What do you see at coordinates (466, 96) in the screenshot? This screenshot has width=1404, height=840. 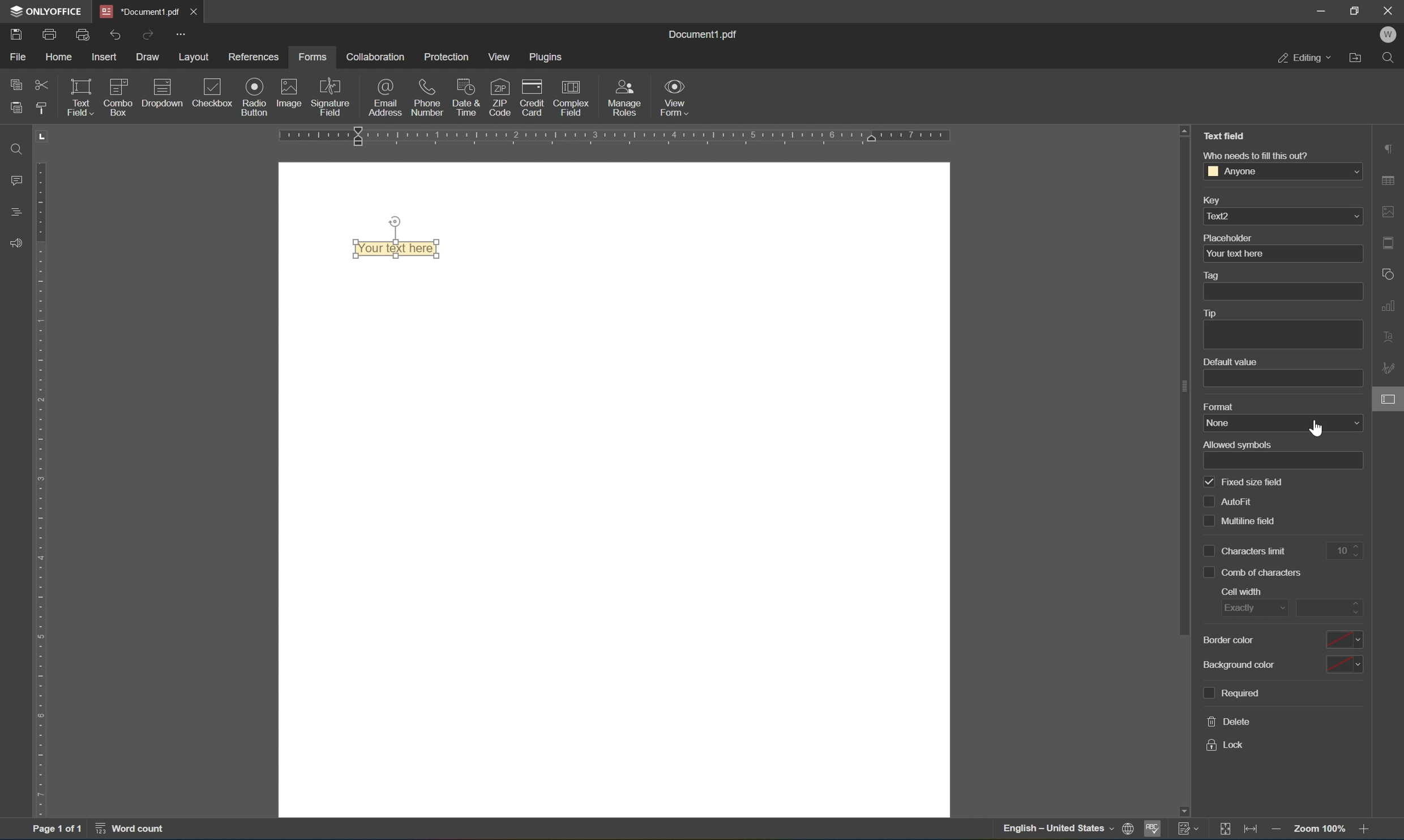 I see `date & time` at bounding box center [466, 96].